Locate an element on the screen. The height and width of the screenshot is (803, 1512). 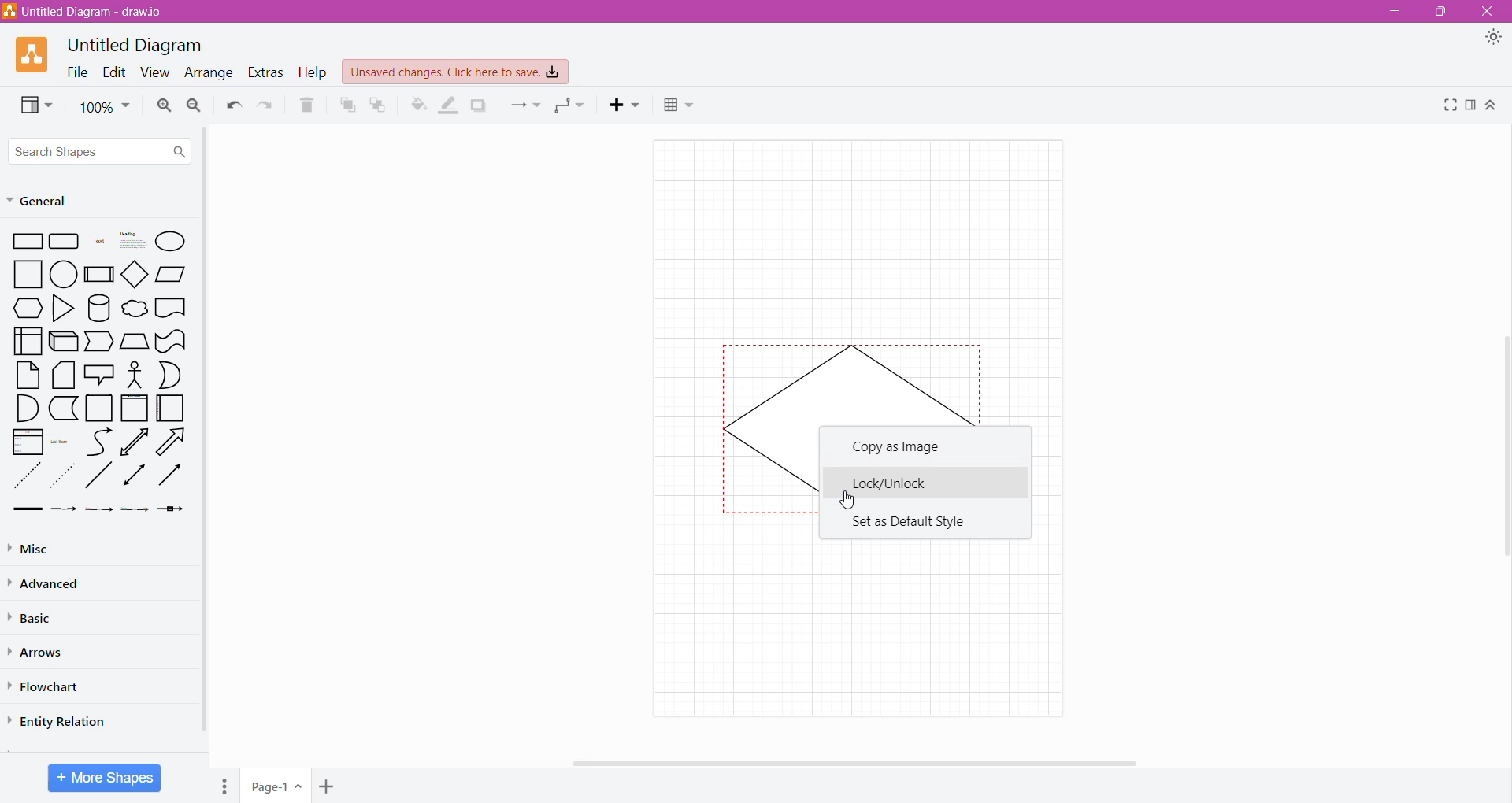
Insert Page is located at coordinates (328, 785).